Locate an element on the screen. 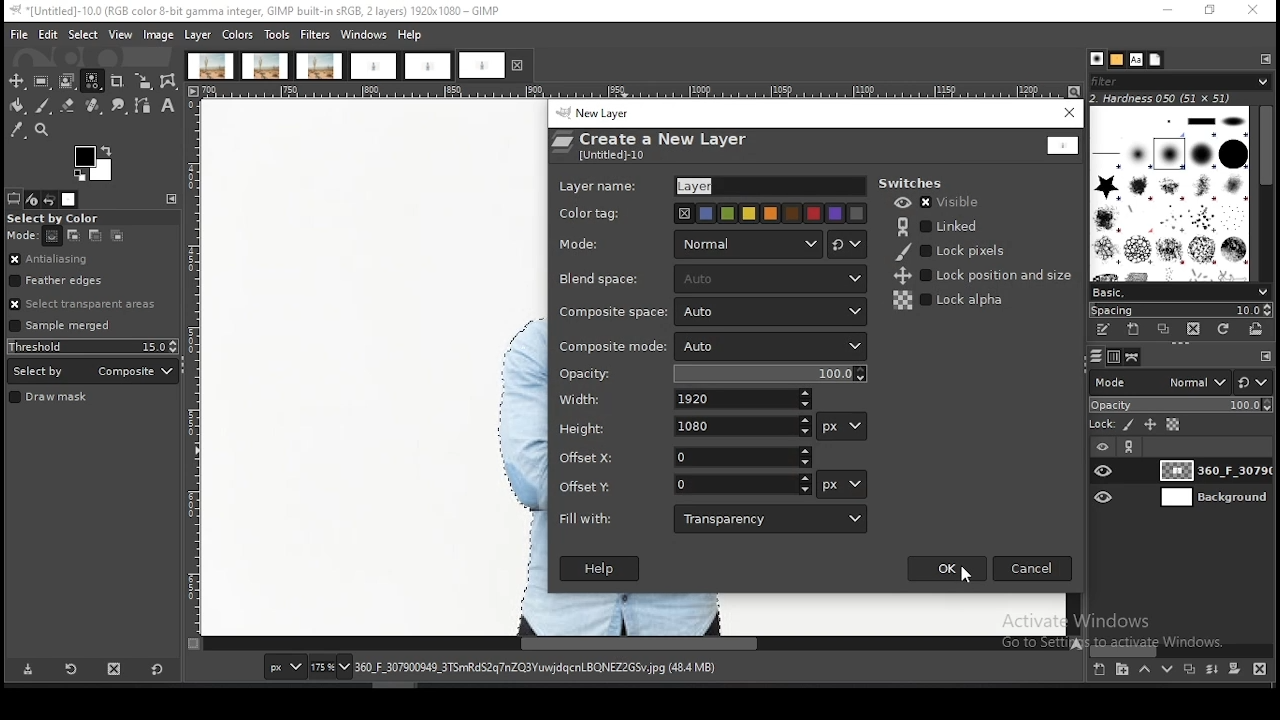 The image size is (1280, 720). blend space is located at coordinates (768, 278).